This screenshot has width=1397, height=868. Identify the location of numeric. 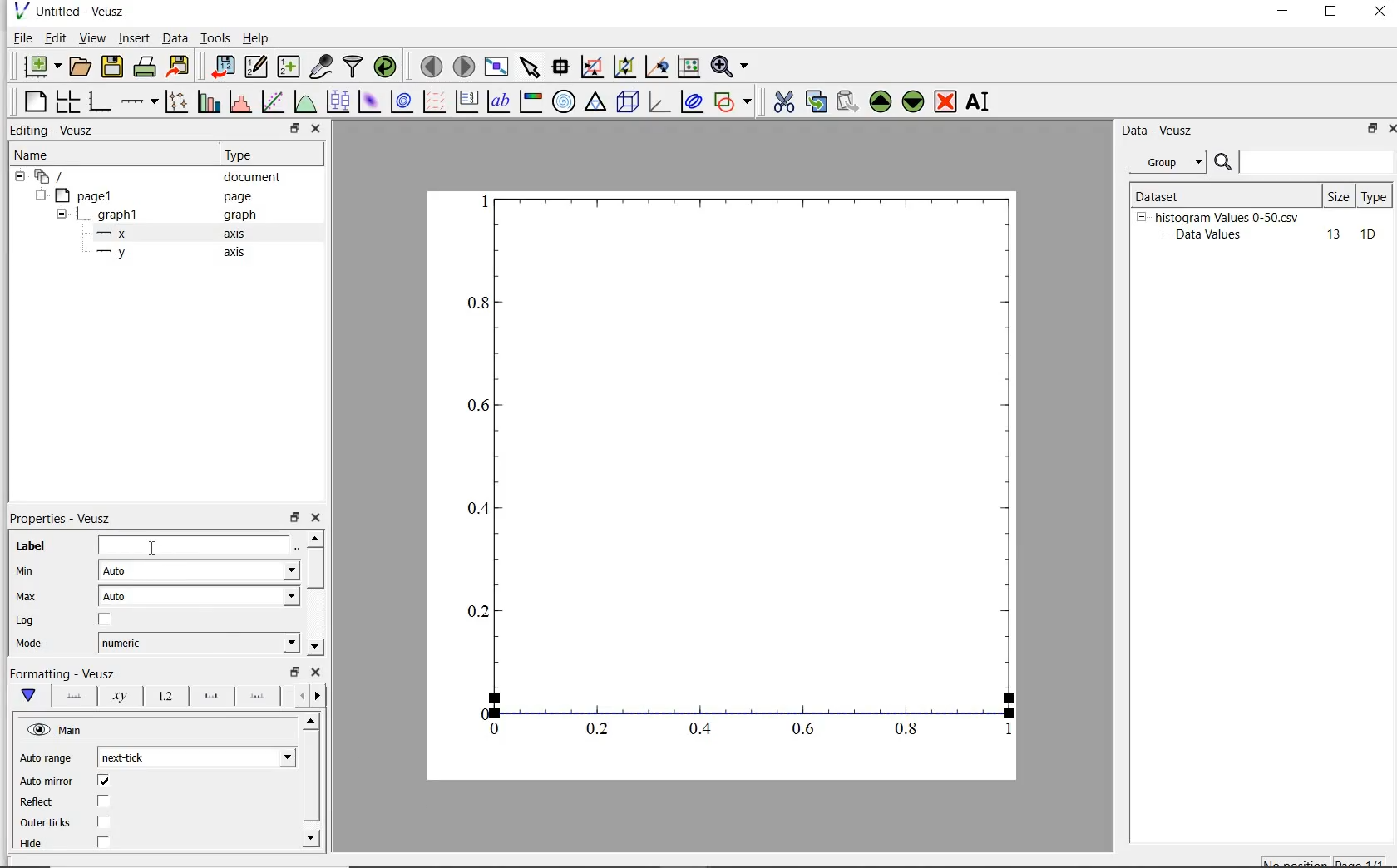
(197, 643).